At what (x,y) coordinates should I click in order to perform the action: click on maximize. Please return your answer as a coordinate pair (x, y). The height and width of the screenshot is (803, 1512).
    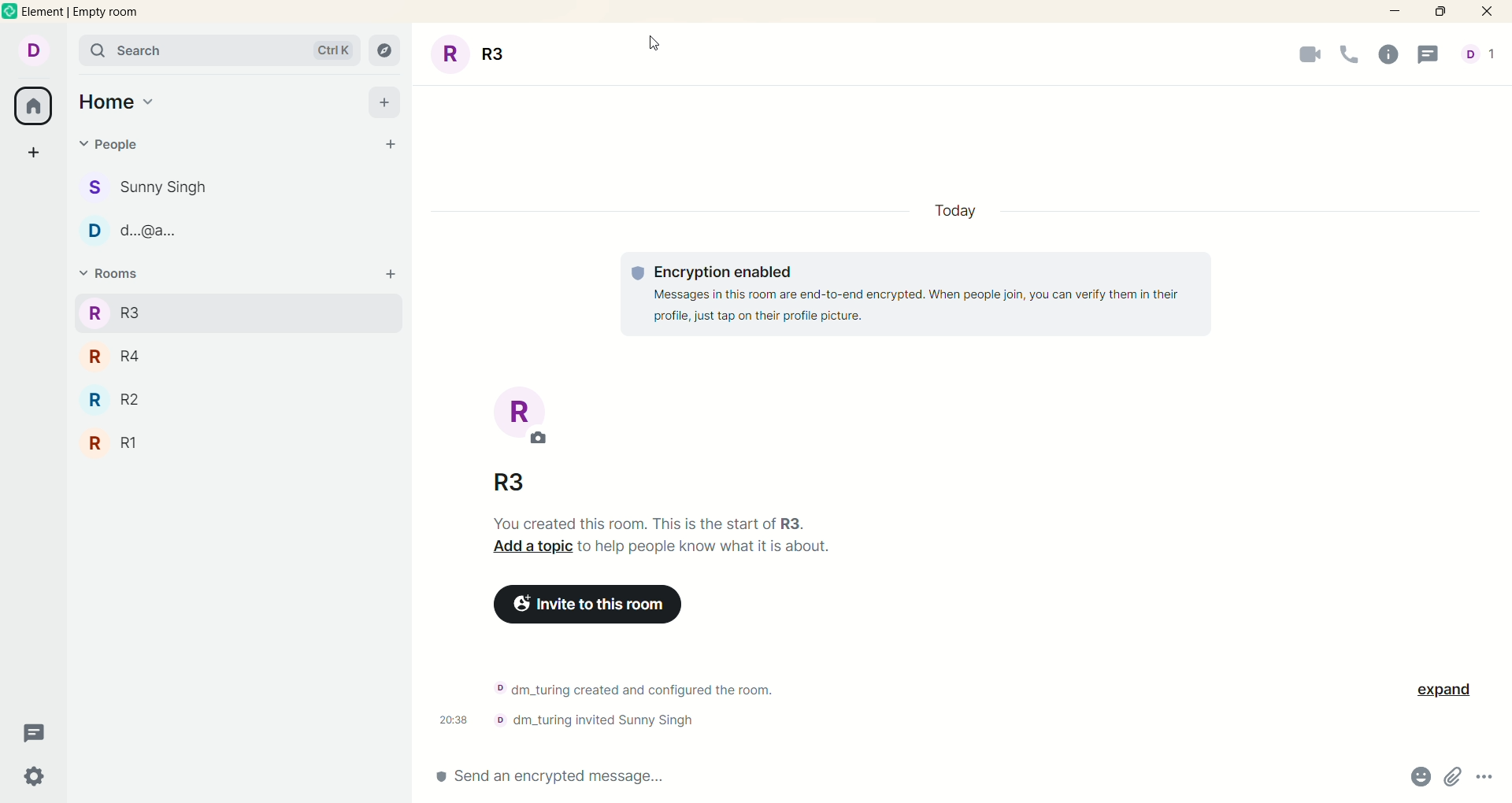
    Looking at the image, I should click on (1443, 13).